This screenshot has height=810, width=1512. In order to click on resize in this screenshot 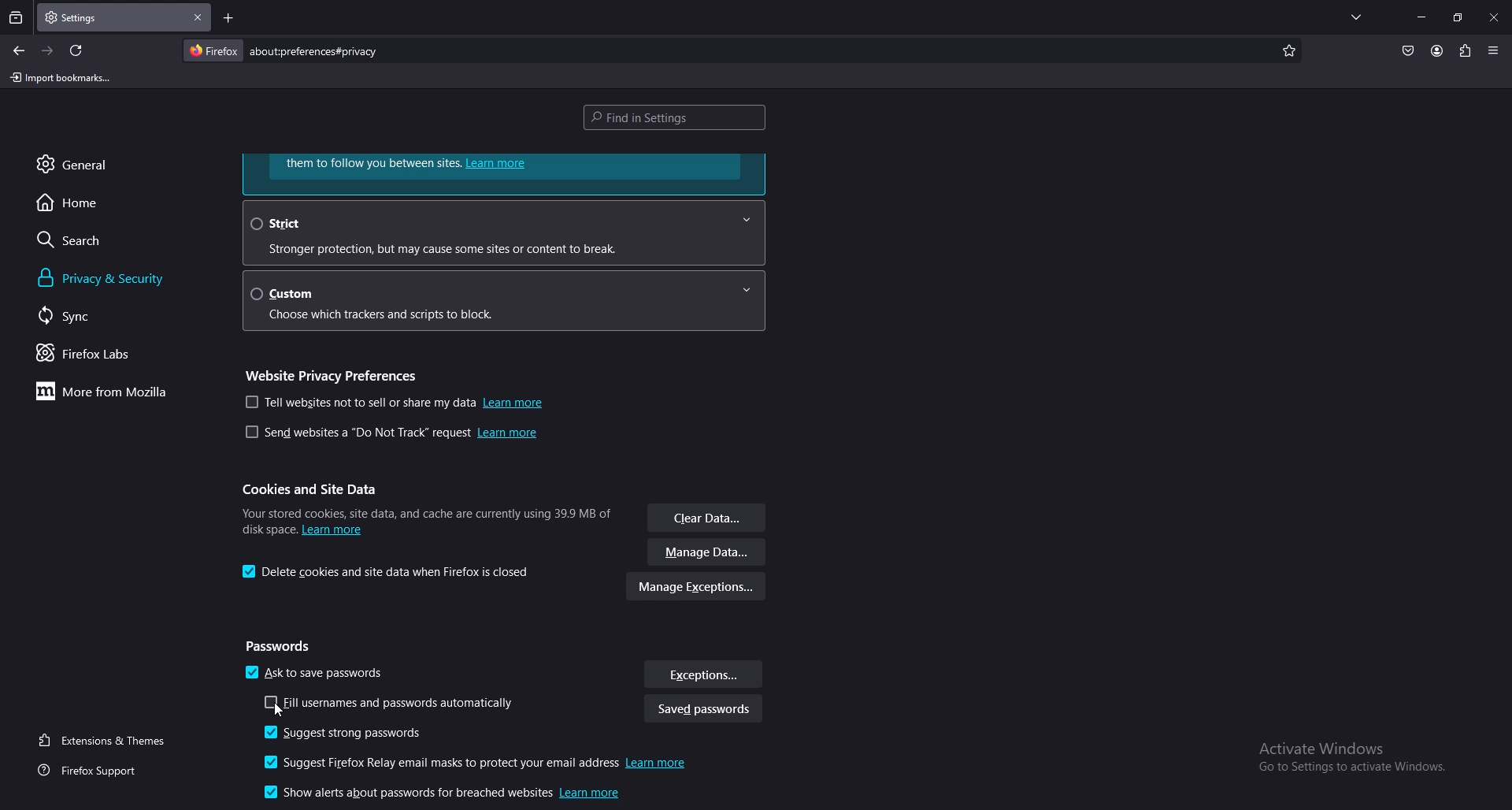, I will do `click(1457, 17)`.